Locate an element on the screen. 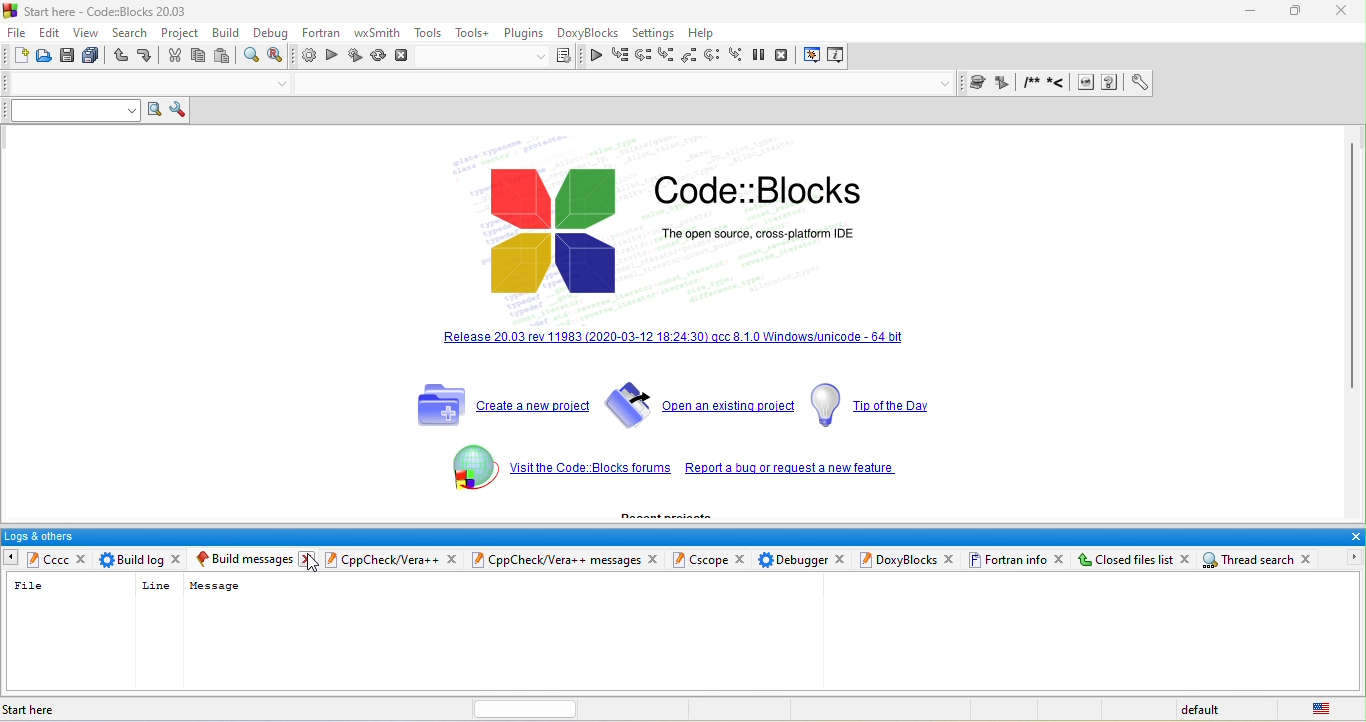  step out is located at coordinates (690, 56).